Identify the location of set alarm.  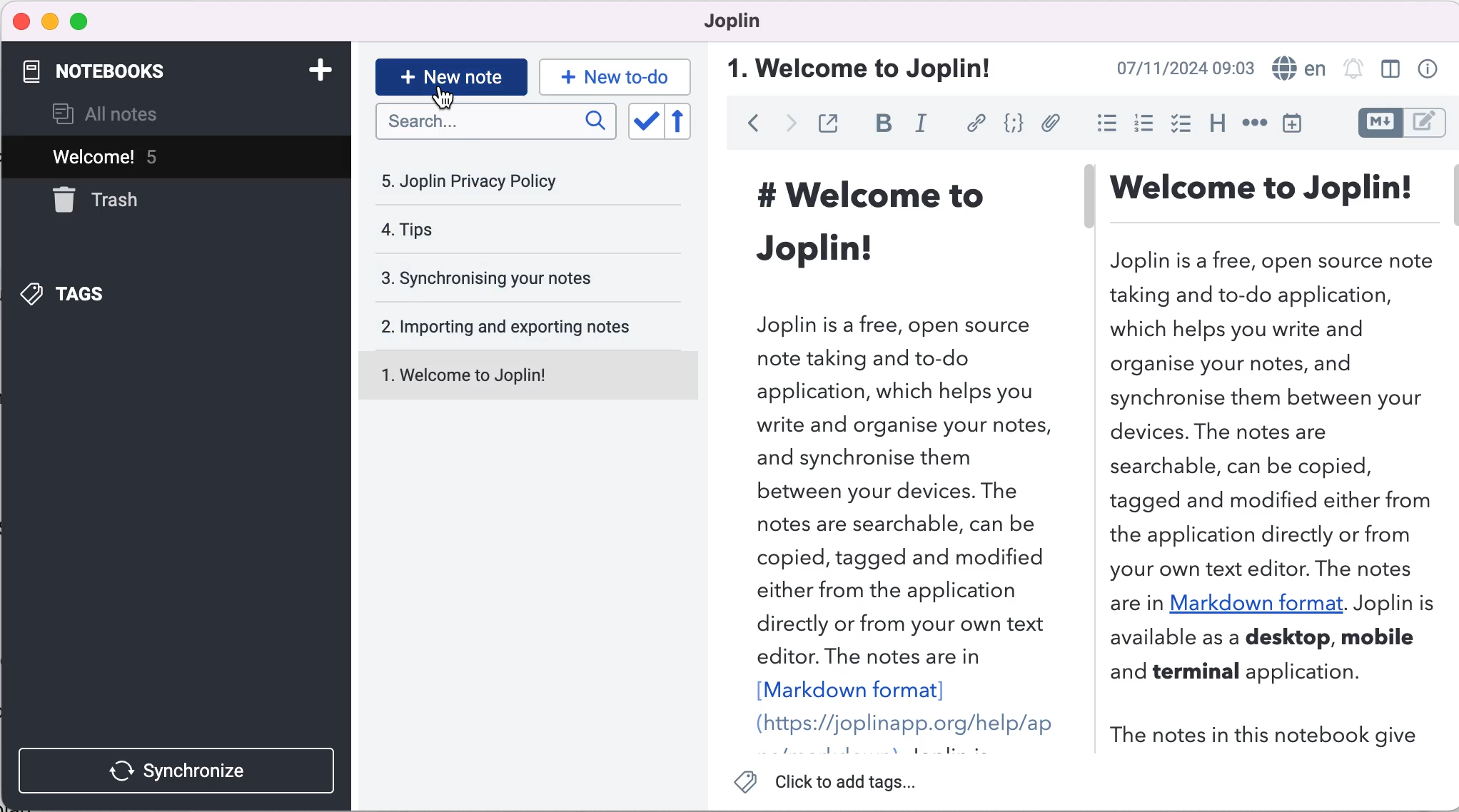
(1351, 71).